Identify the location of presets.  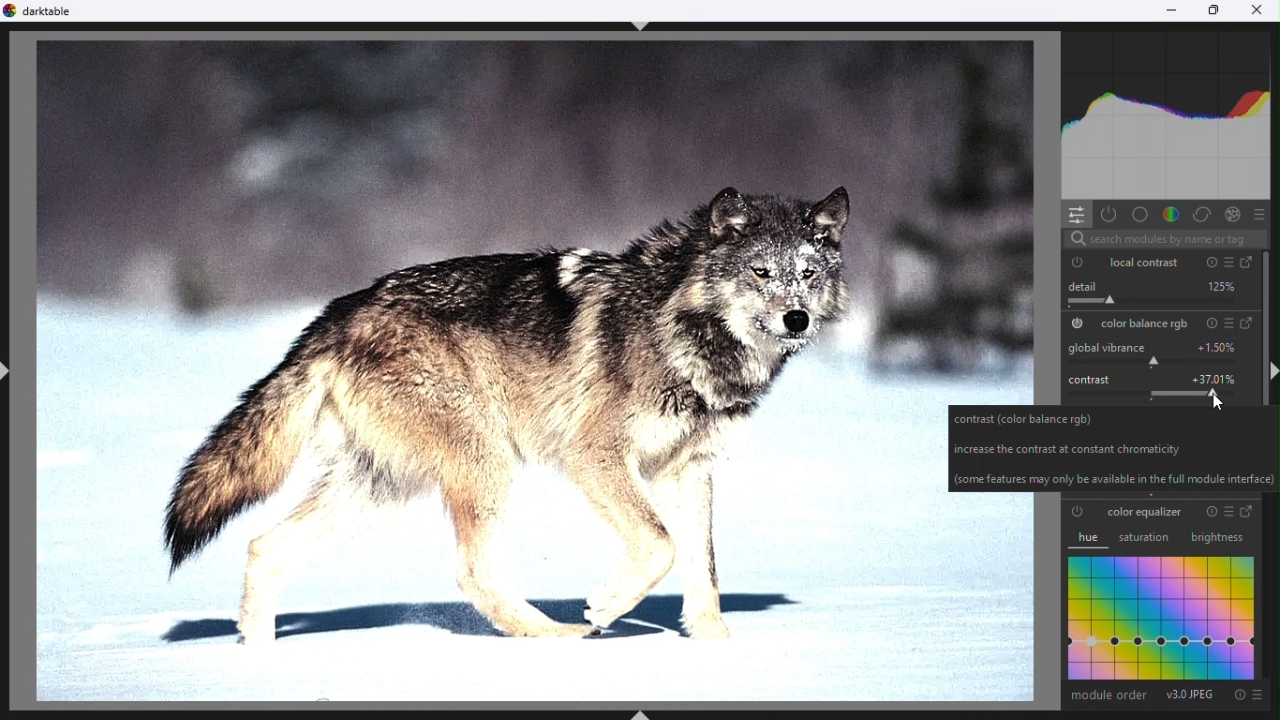
(1227, 324).